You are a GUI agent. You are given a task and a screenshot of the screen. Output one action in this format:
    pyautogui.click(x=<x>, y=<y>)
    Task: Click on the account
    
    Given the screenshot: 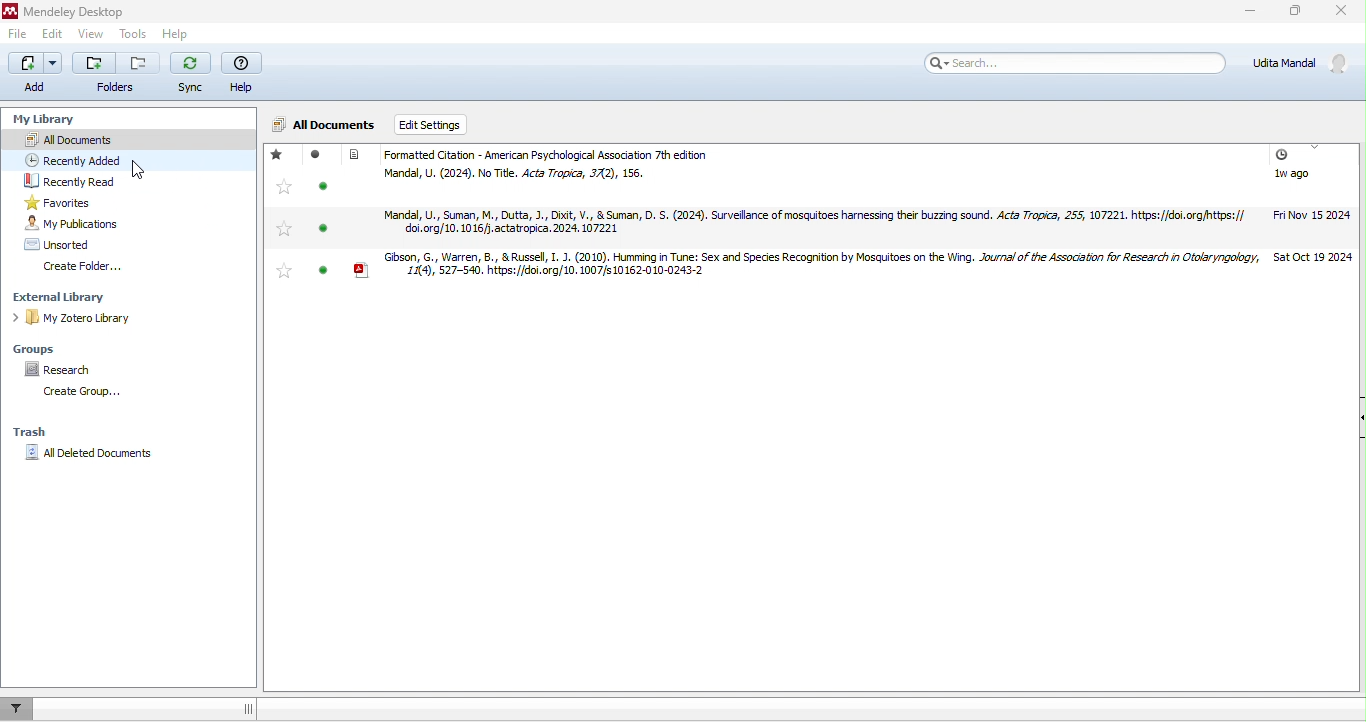 What is the action you would take?
    pyautogui.click(x=1303, y=62)
    